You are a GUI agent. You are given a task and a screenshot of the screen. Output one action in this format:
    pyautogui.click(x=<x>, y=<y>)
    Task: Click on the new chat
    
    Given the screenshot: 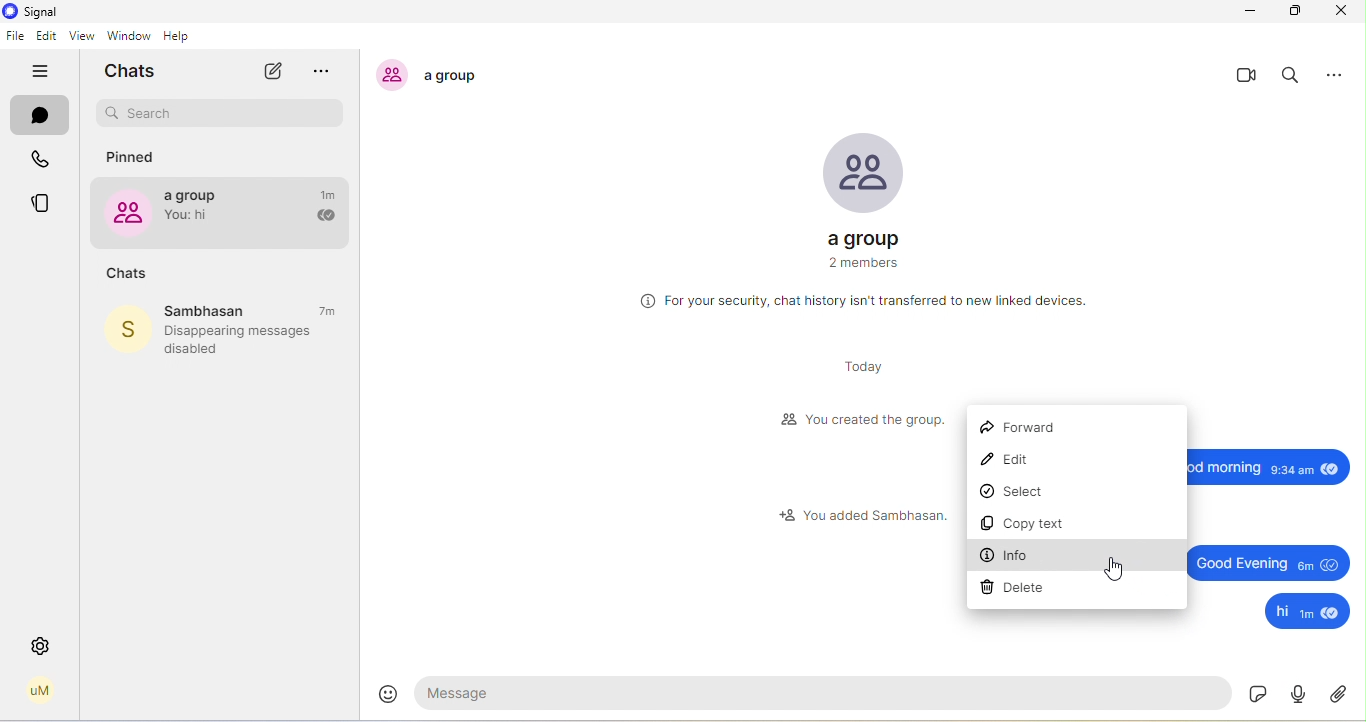 What is the action you would take?
    pyautogui.click(x=271, y=71)
    